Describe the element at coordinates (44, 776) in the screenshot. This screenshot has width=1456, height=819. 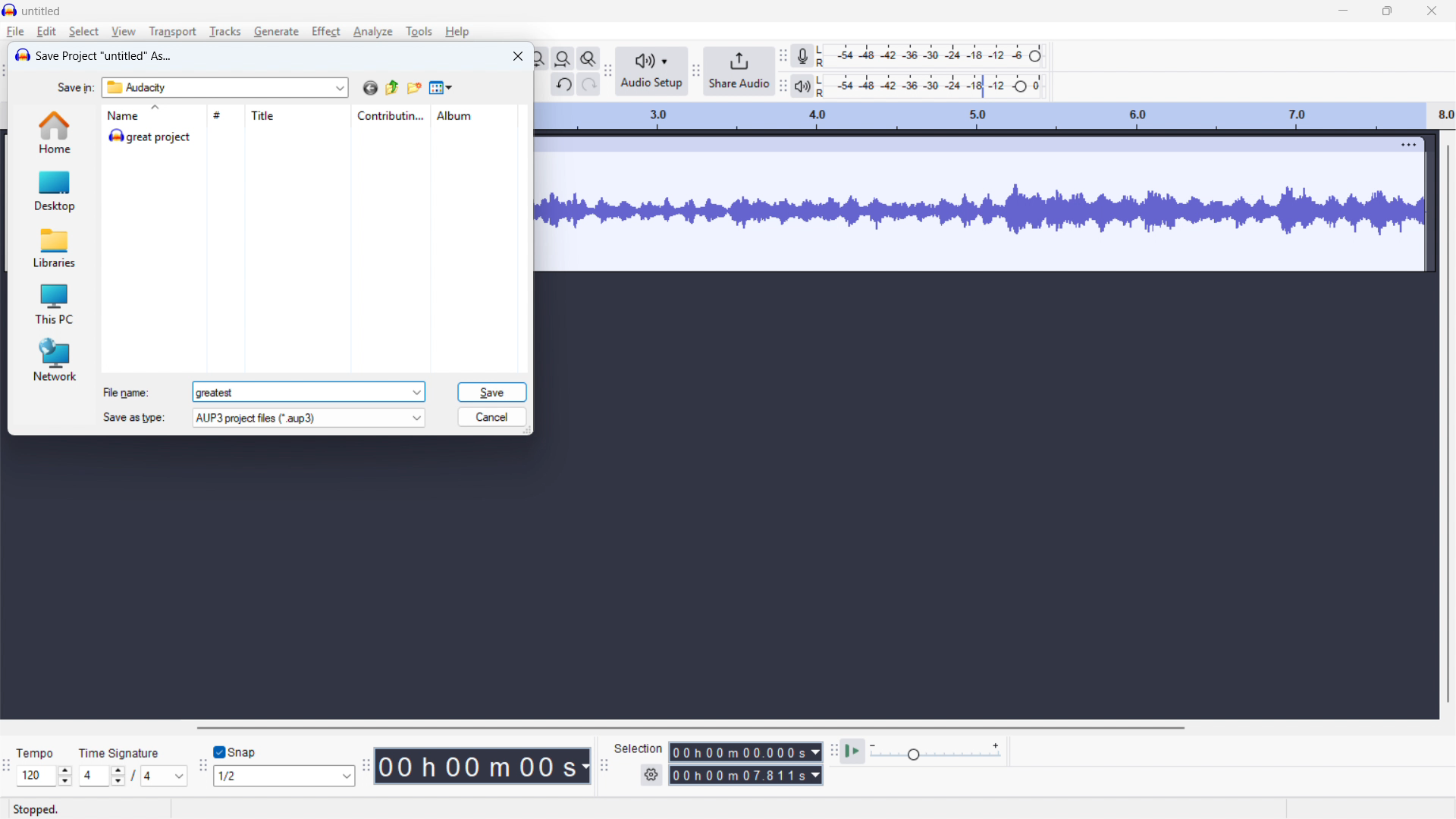
I see `set tempo` at that location.